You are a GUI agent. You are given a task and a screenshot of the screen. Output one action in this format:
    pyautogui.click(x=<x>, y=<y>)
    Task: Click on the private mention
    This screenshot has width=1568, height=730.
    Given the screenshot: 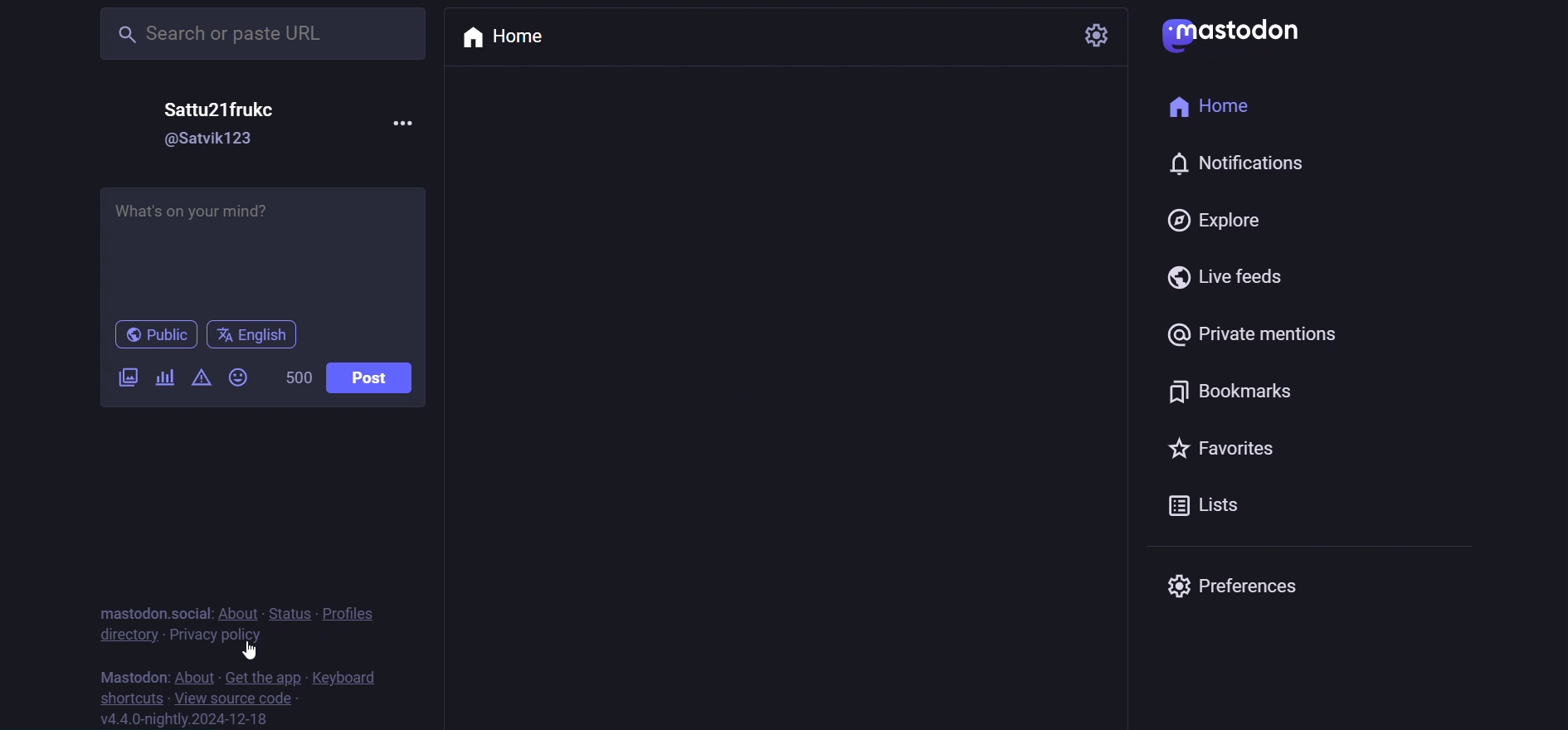 What is the action you would take?
    pyautogui.click(x=1259, y=331)
    